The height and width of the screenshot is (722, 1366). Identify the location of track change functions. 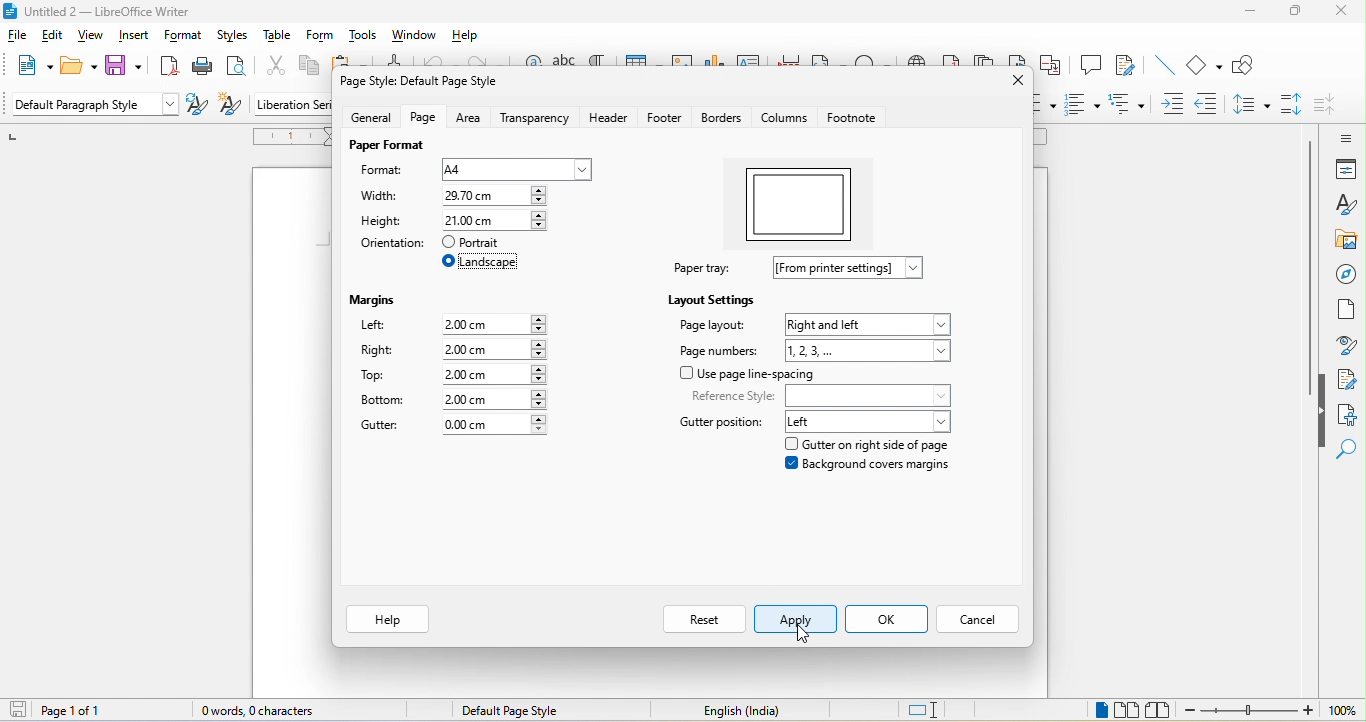
(1124, 68).